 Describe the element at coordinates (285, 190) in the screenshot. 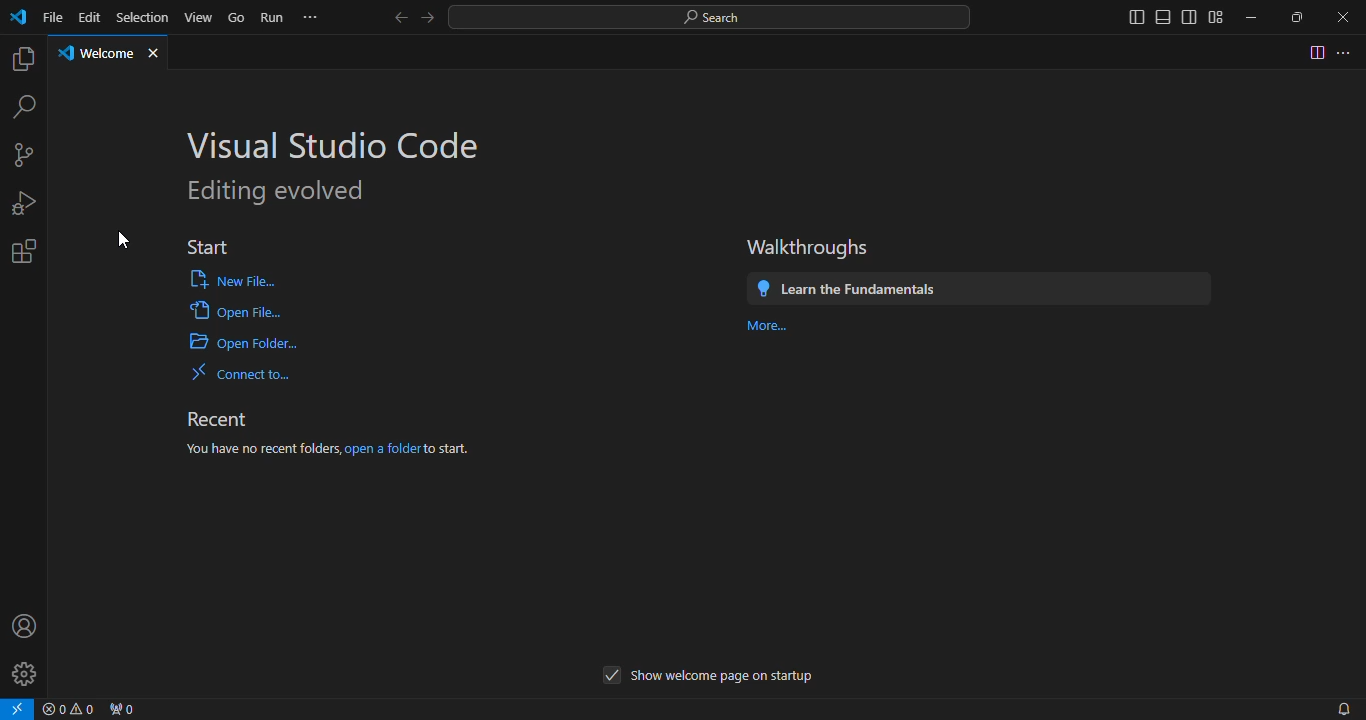

I see `editing evolved` at that location.